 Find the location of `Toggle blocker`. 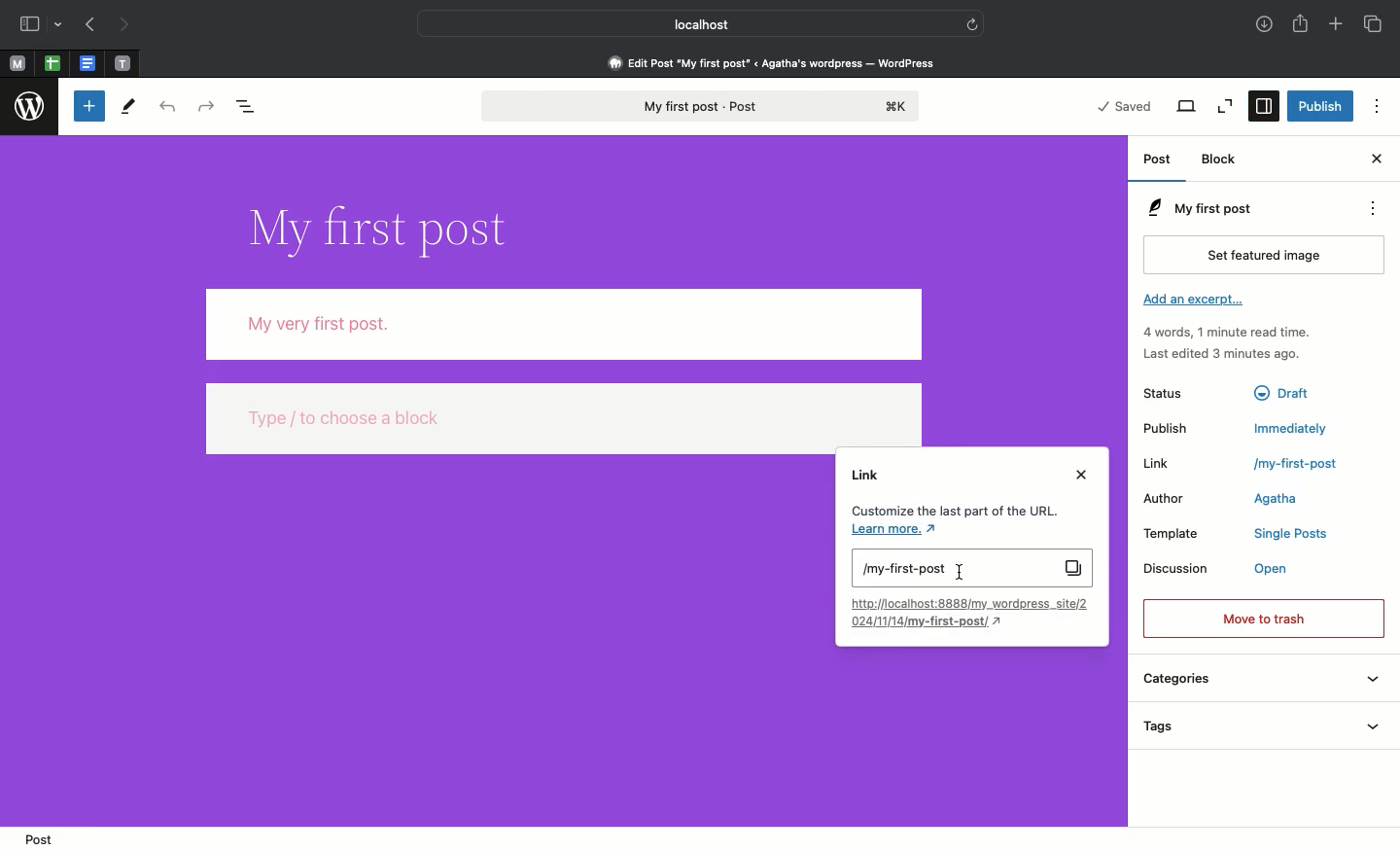

Toggle blocker is located at coordinates (89, 105).